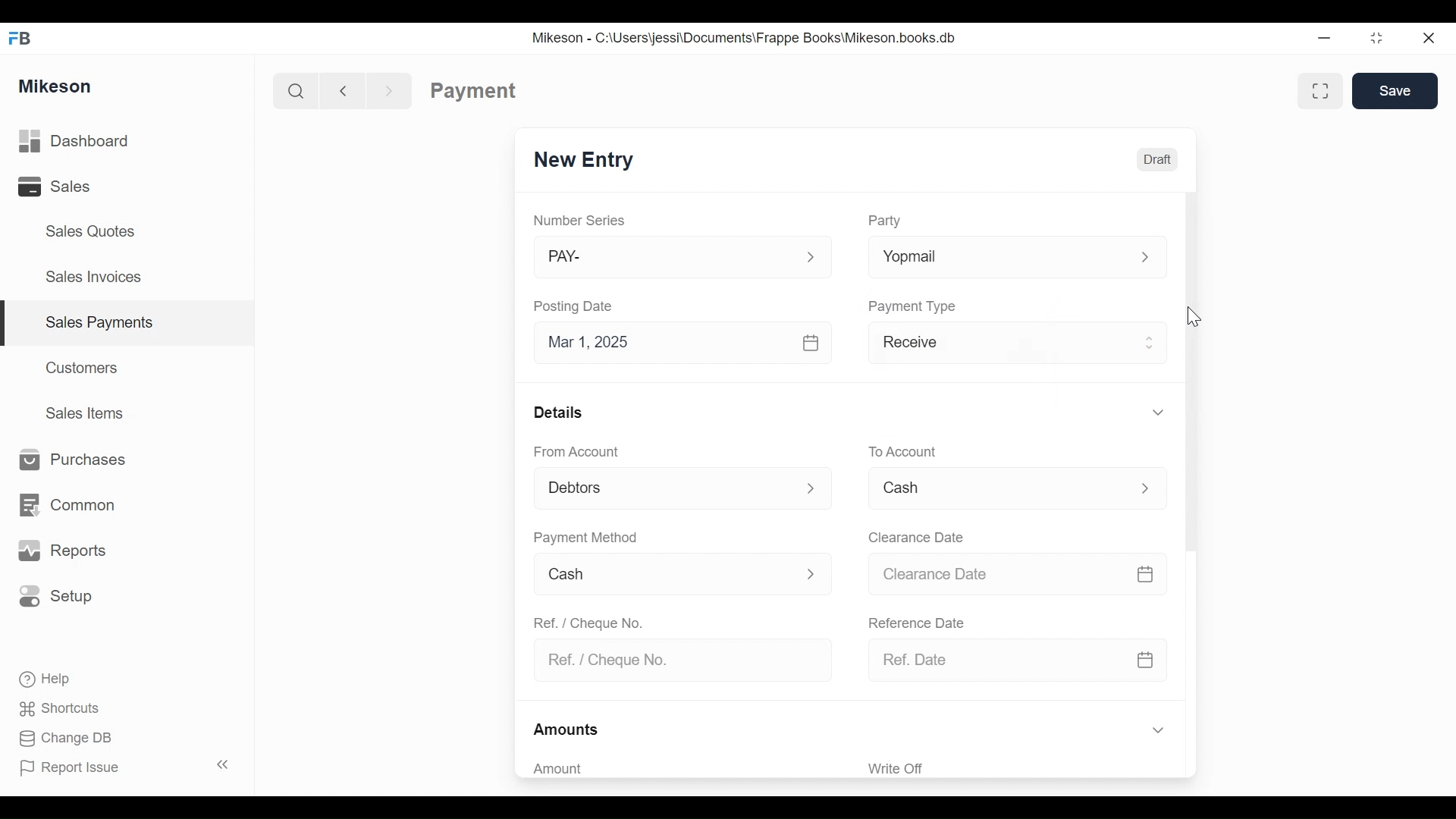  What do you see at coordinates (56, 679) in the screenshot?
I see `Help` at bounding box center [56, 679].